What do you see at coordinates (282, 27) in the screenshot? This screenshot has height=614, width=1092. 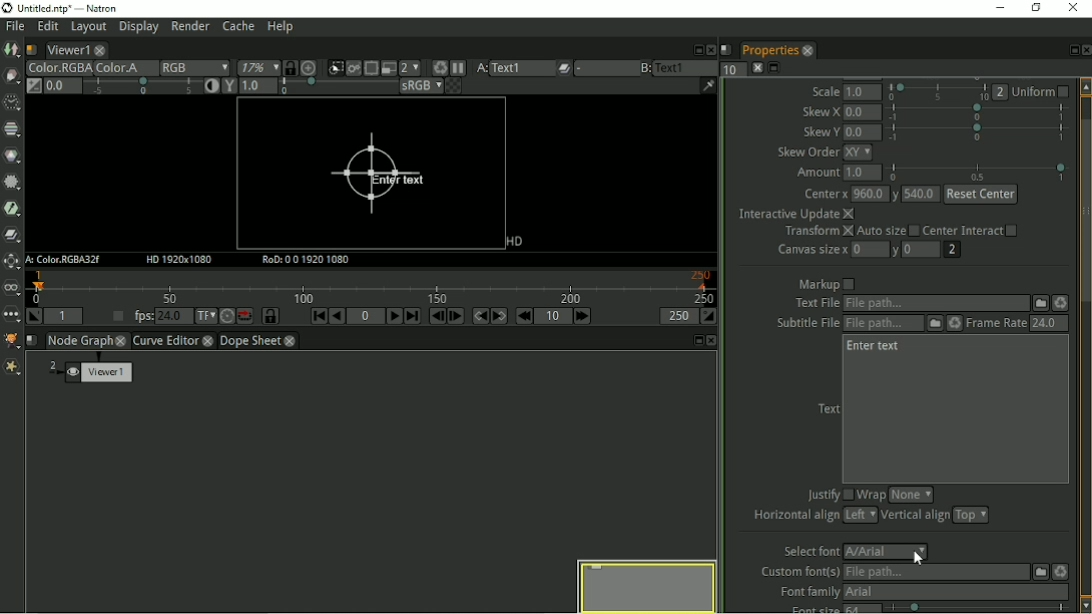 I see `Help` at bounding box center [282, 27].